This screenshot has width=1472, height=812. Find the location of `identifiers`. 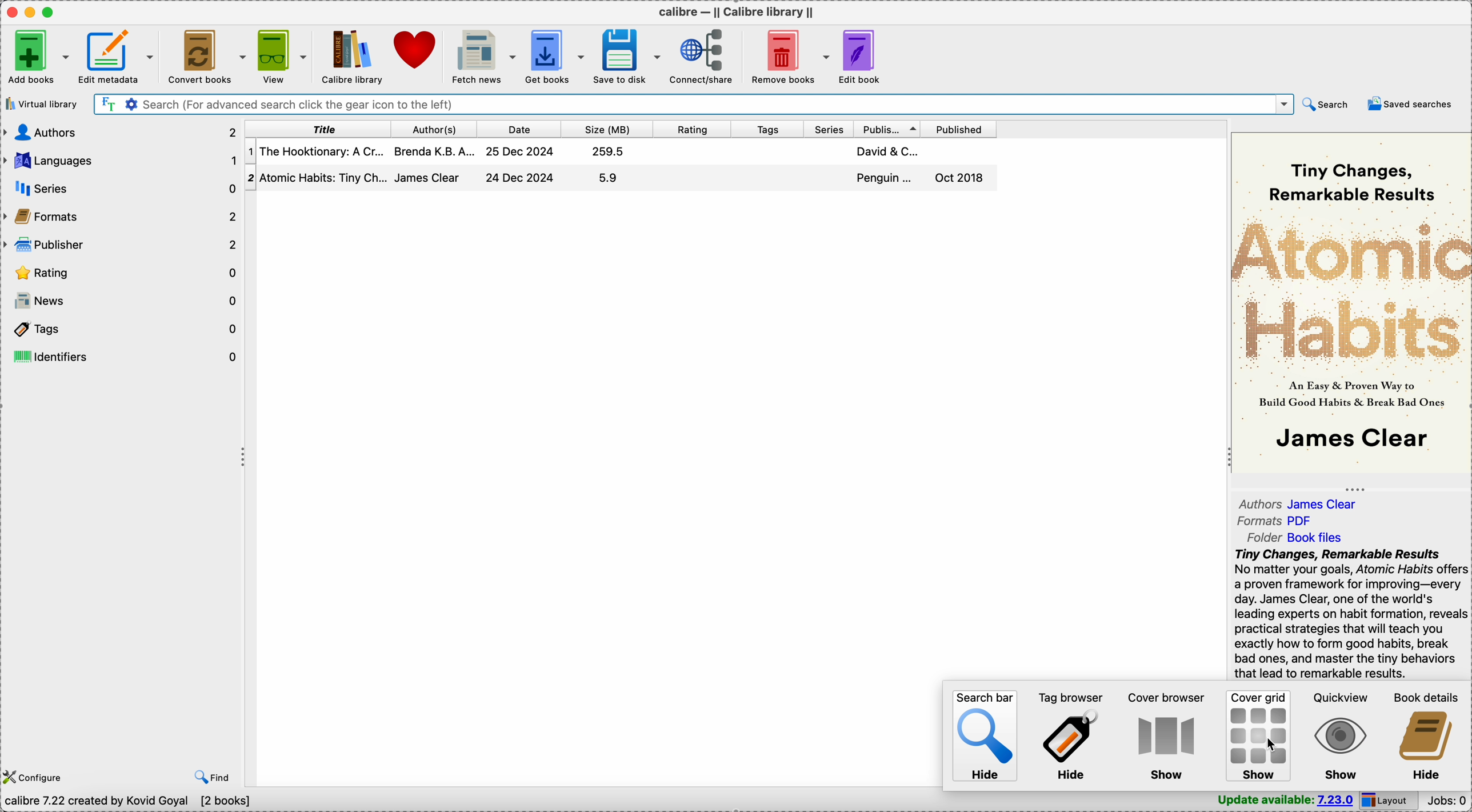

identifiers is located at coordinates (122, 355).